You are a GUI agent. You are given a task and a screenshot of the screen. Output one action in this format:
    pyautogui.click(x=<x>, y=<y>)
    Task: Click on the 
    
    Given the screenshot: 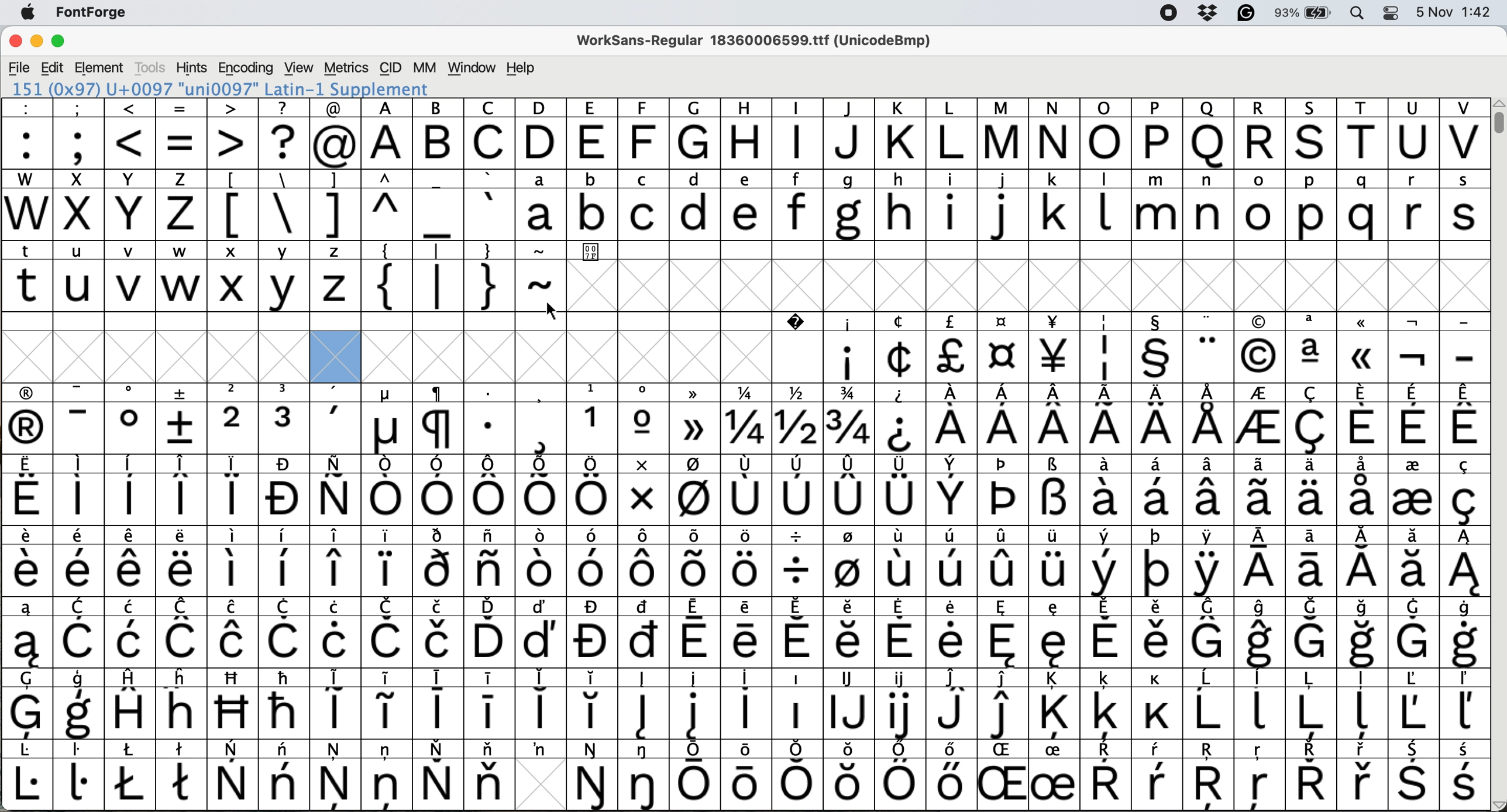 What is the action you would take?
    pyautogui.click(x=850, y=775)
    